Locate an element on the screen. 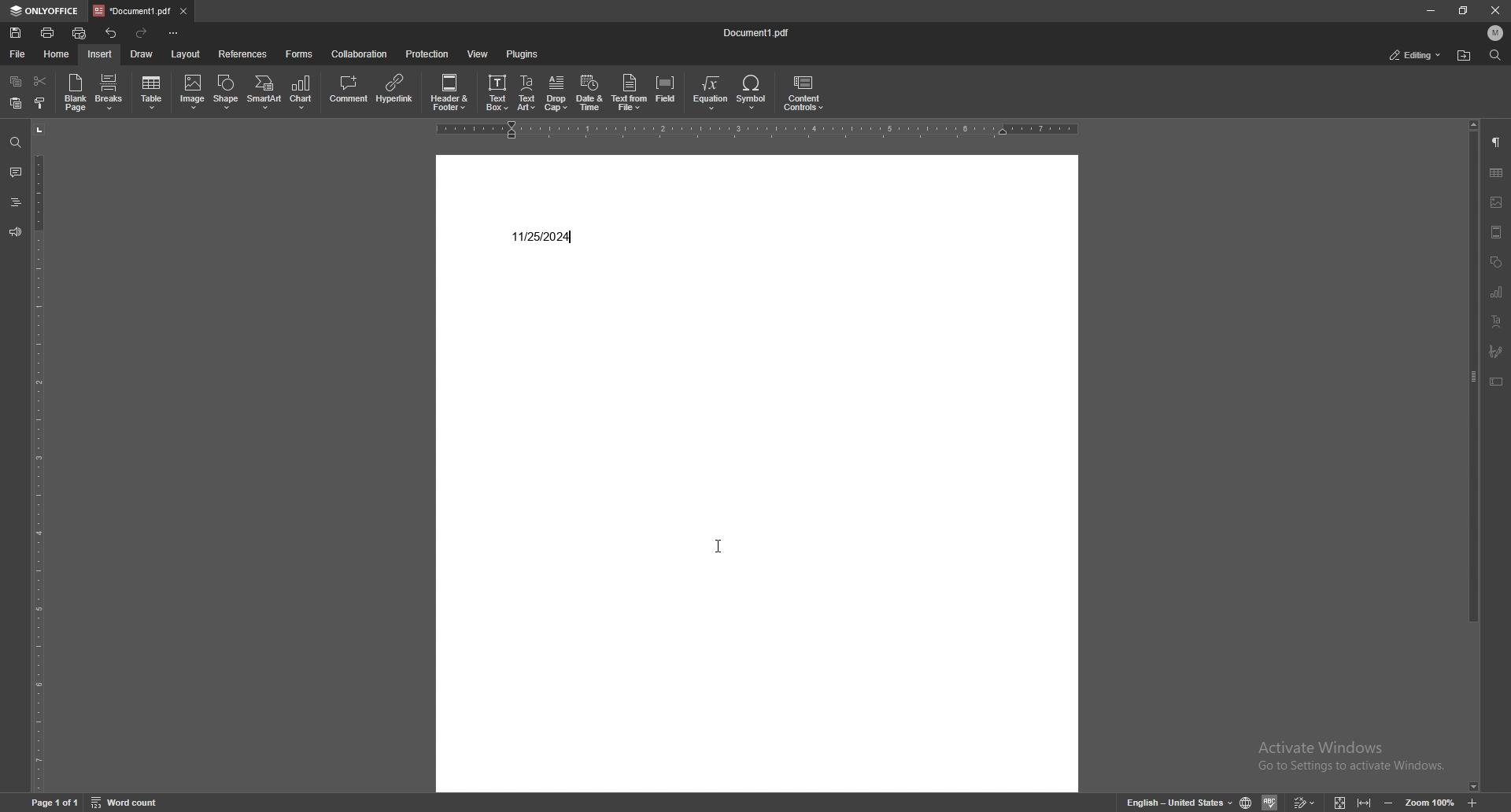 The height and width of the screenshot is (812, 1511). undo is located at coordinates (115, 33).